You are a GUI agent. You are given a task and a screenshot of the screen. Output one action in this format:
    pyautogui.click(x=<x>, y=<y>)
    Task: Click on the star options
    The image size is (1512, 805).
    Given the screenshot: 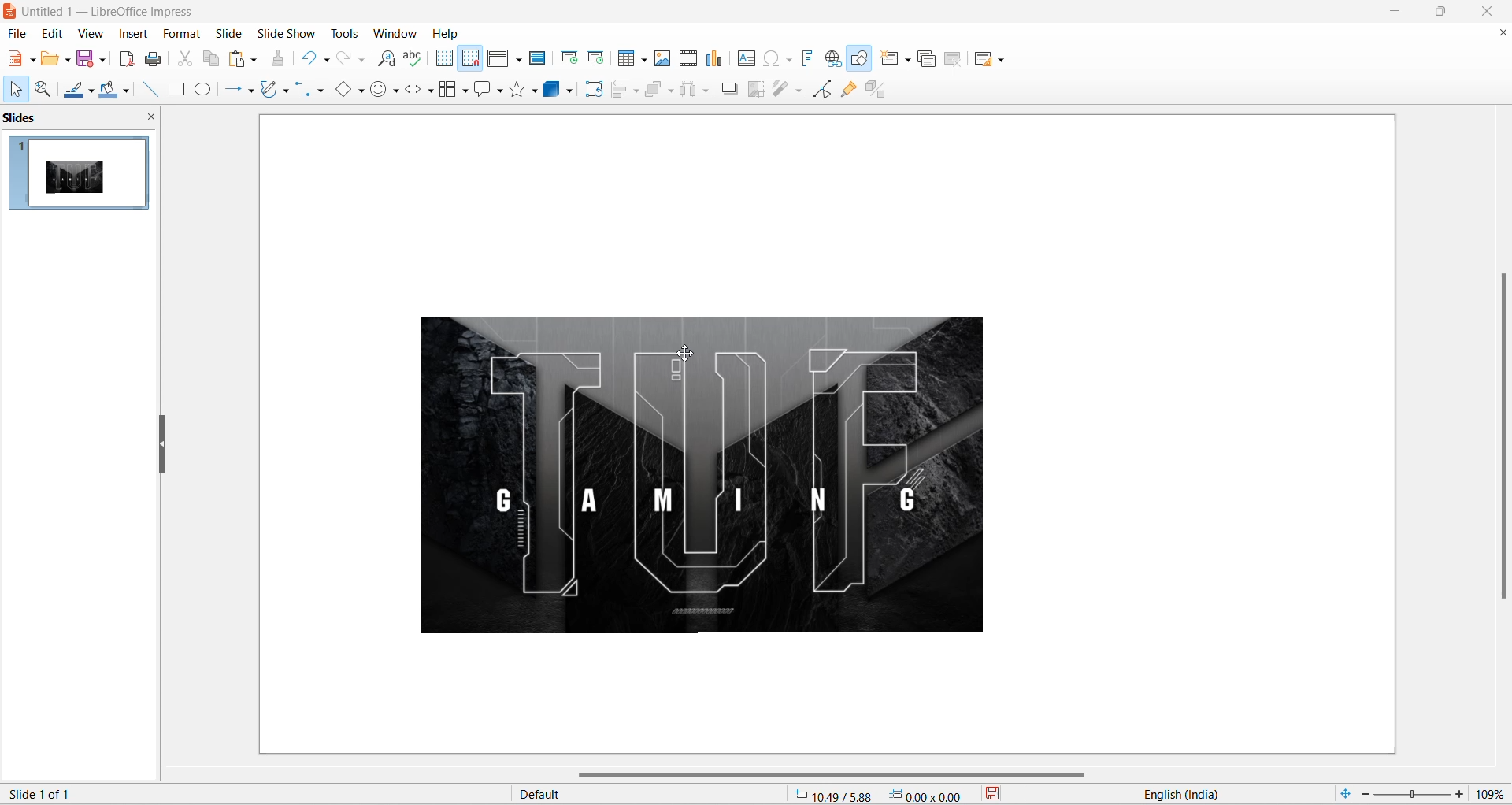 What is the action you would take?
    pyautogui.click(x=536, y=91)
    